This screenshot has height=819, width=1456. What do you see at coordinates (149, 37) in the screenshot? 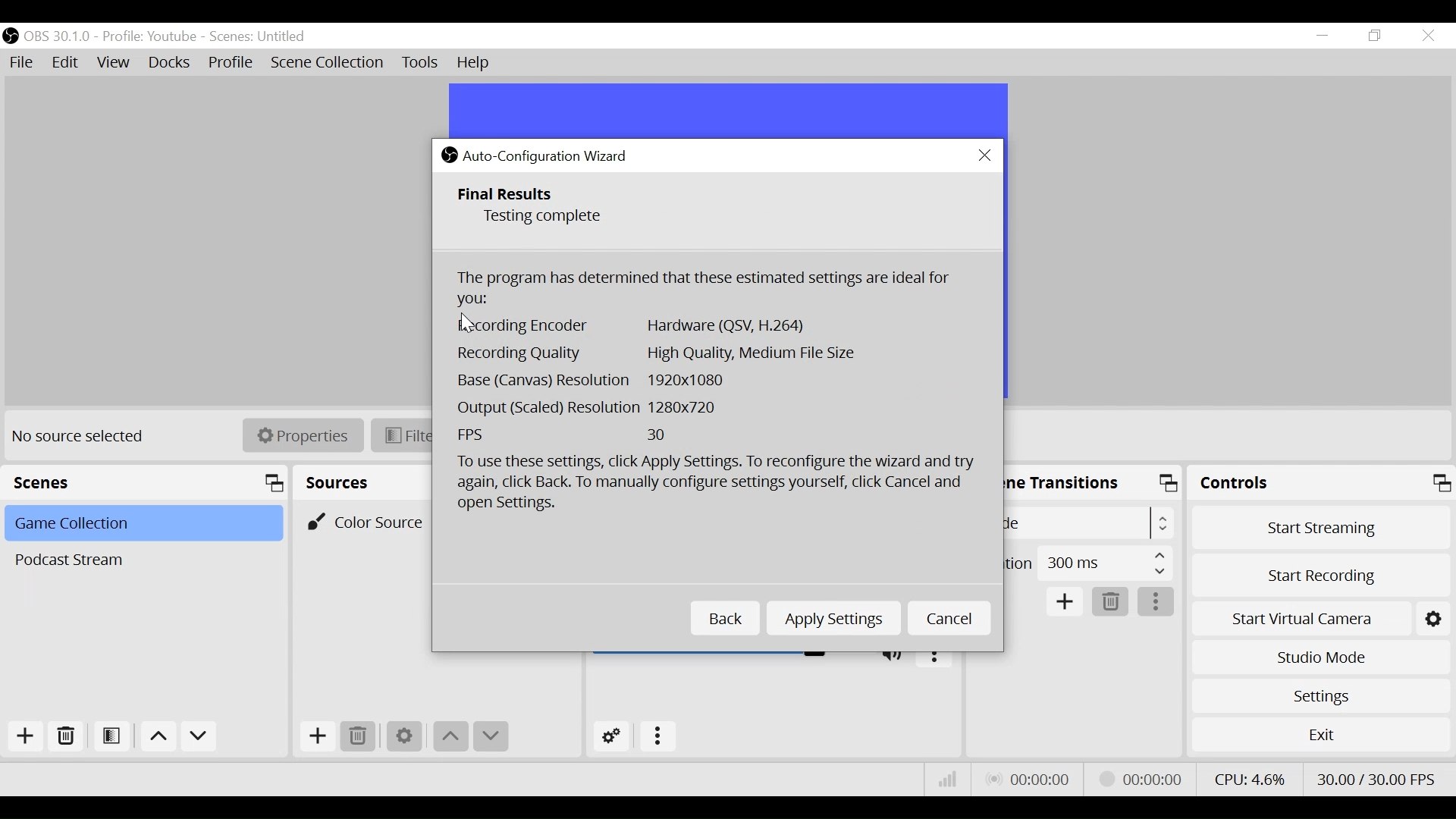
I see `profile` at bounding box center [149, 37].